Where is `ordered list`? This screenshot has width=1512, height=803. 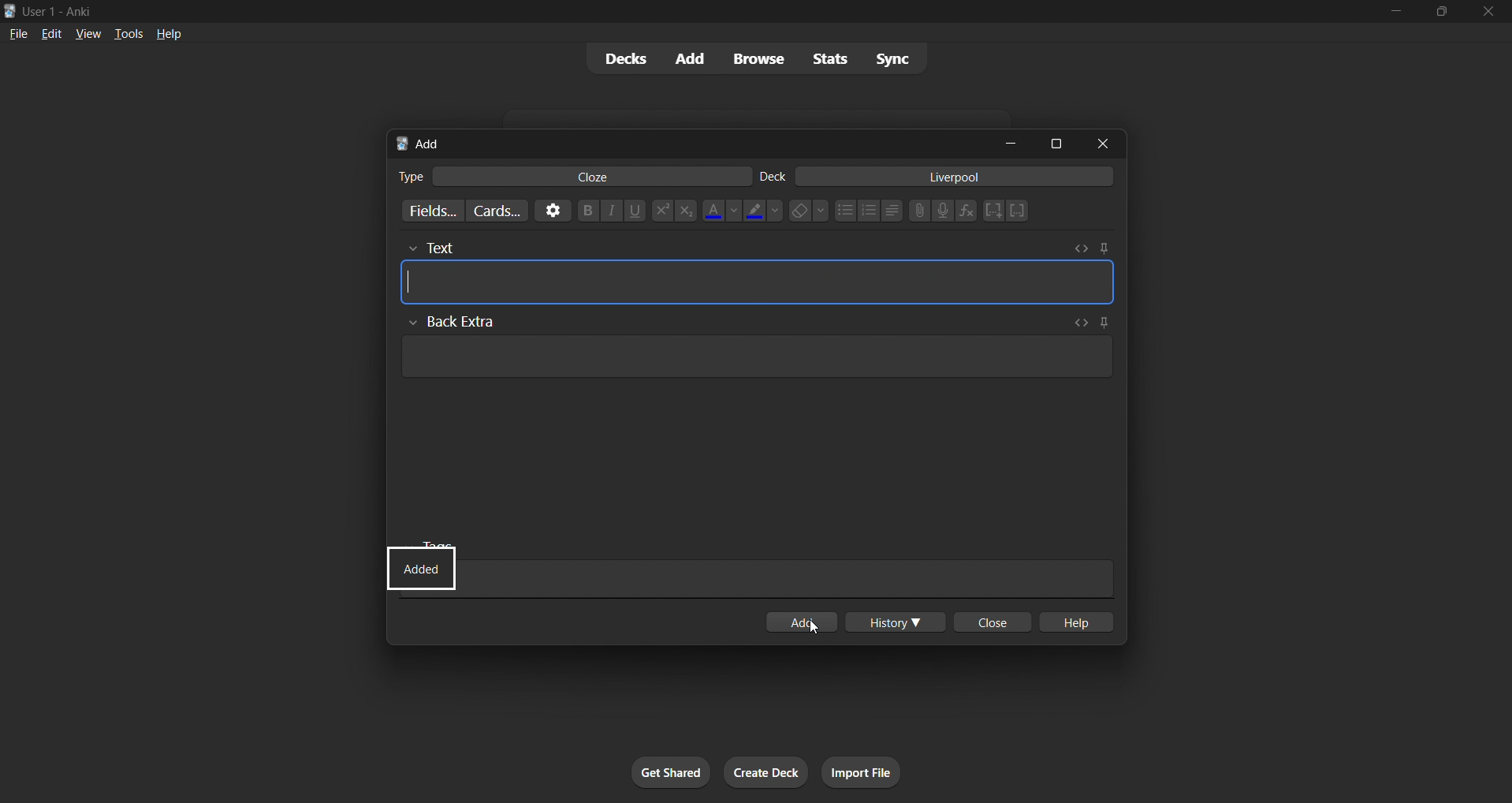
ordered list is located at coordinates (874, 211).